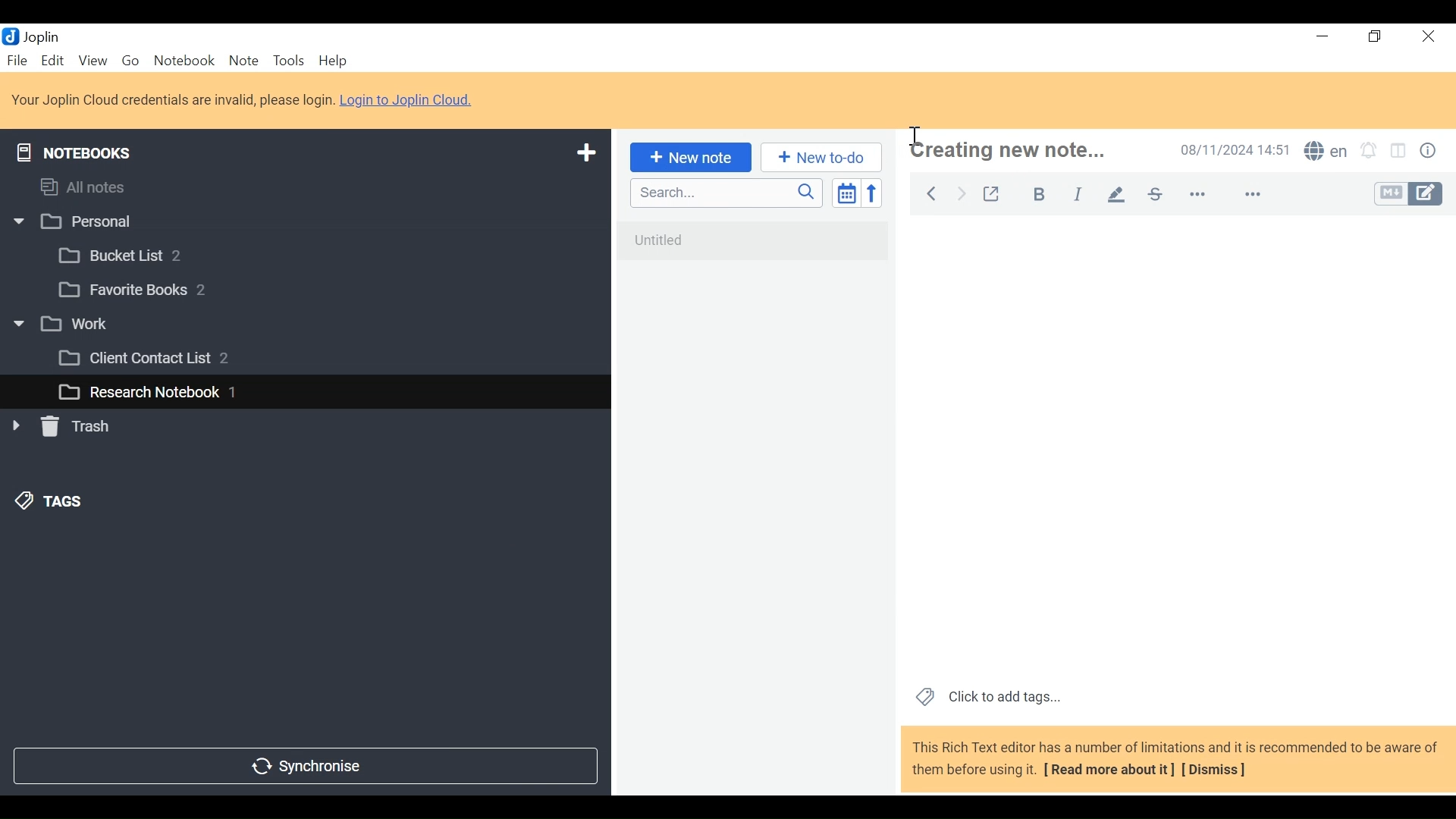 This screenshot has width=1456, height=819. I want to click on Note properties, so click(1431, 152).